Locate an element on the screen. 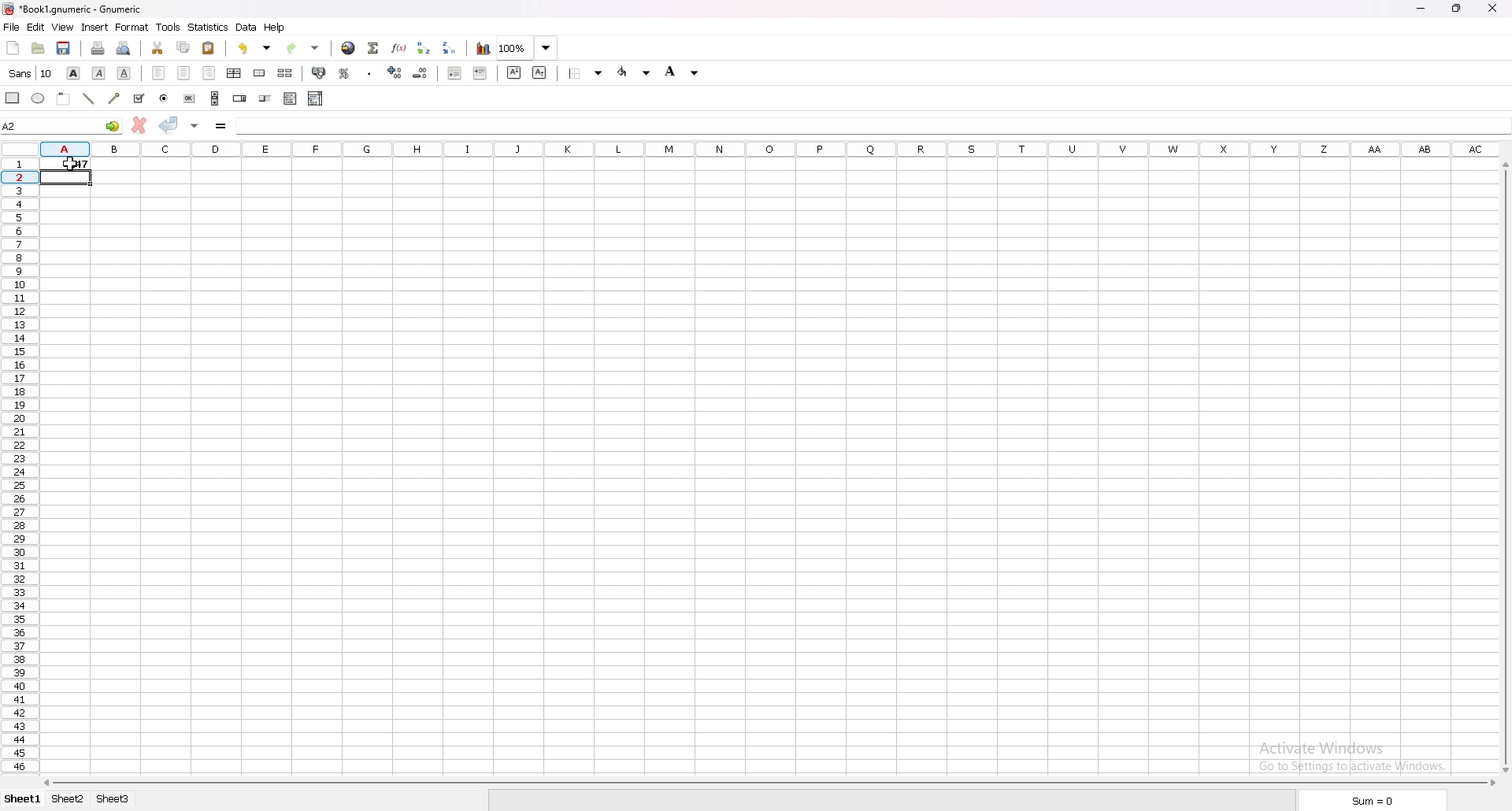  summation is located at coordinates (375, 47).